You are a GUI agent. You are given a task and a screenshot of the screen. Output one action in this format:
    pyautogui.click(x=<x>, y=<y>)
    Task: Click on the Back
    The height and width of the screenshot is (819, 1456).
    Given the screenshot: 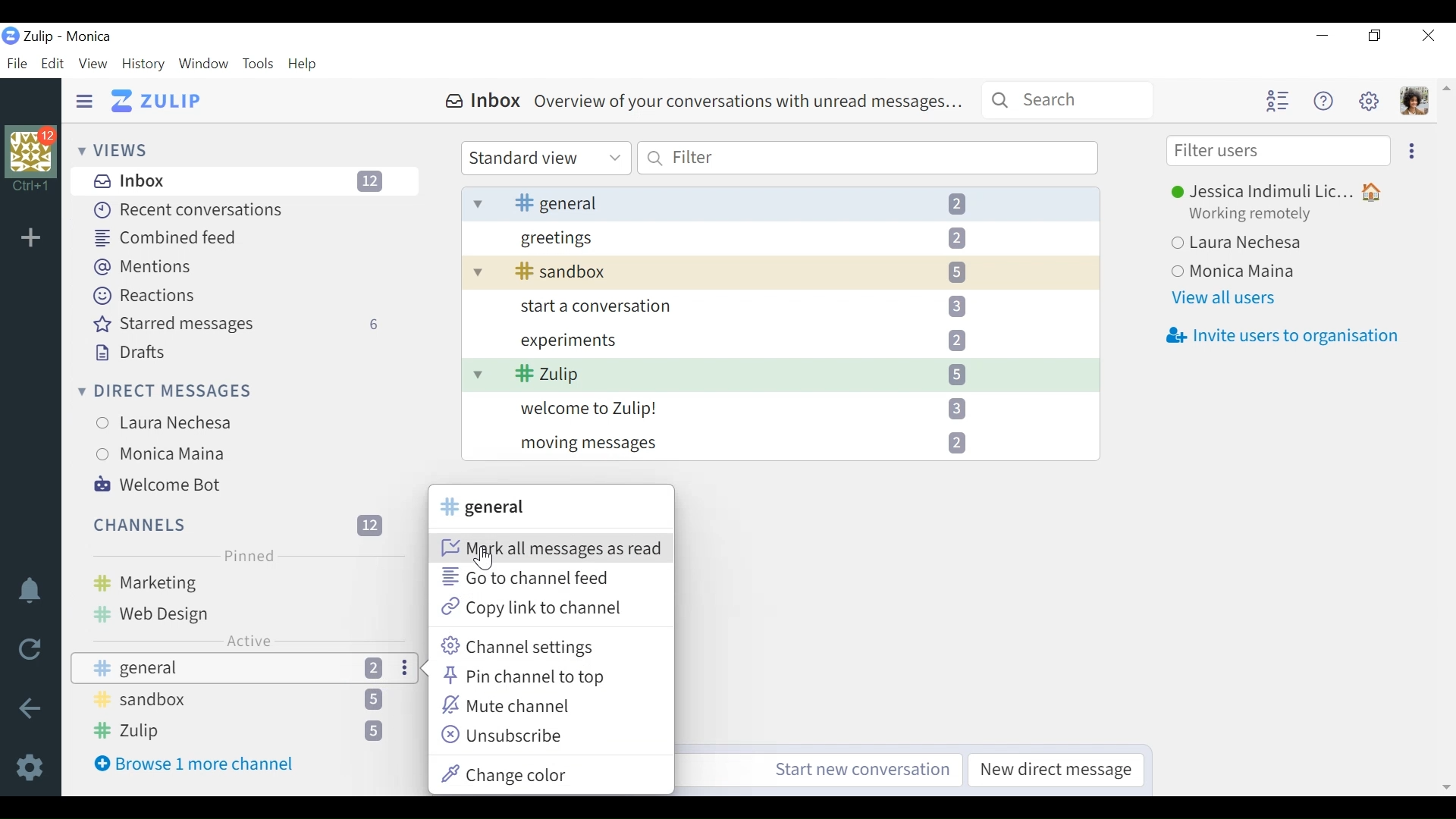 What is the action you would take?
    pyautogui.click(x=30, y=710)
    